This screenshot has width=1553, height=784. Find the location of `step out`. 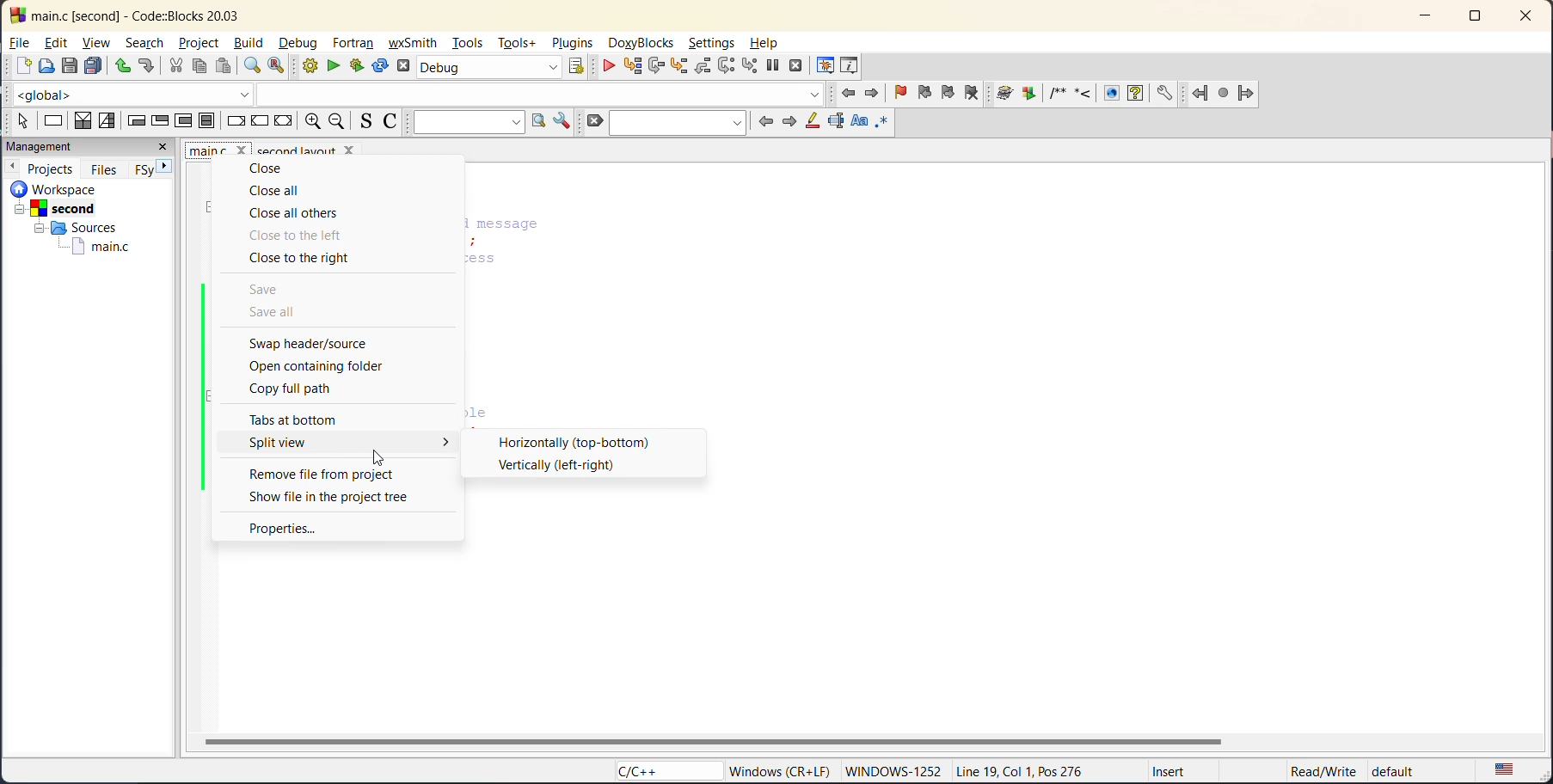

step out is located at coordinates (703, 67).